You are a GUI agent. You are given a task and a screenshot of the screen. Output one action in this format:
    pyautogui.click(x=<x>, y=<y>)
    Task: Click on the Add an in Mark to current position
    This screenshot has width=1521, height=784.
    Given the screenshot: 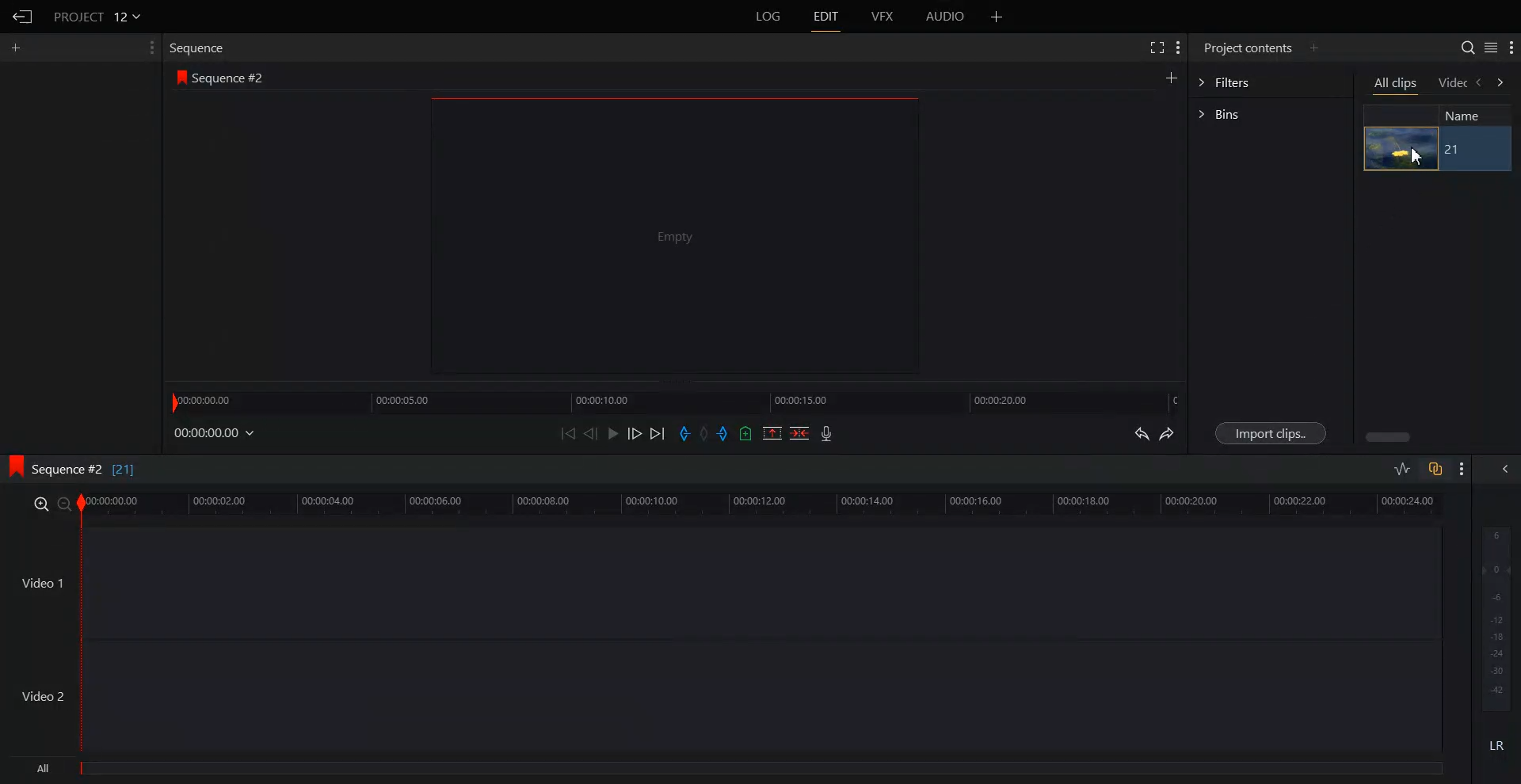 What is the action you would take?
    pyautogui.click(x=684, y=433)
    